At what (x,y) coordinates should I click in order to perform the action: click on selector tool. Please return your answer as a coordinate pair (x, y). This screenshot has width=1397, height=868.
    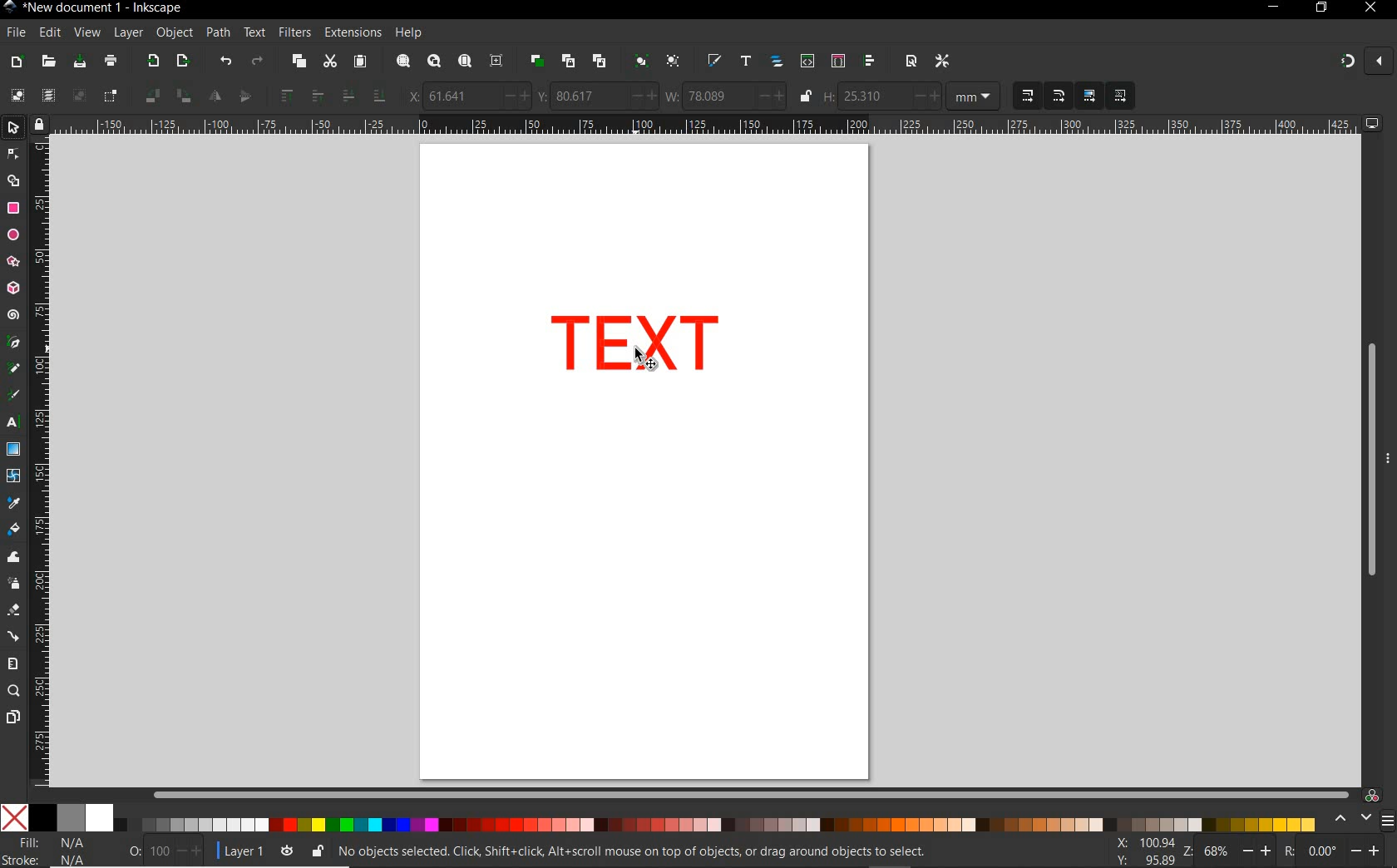
    Looking at the image, I should click on (15, 130).